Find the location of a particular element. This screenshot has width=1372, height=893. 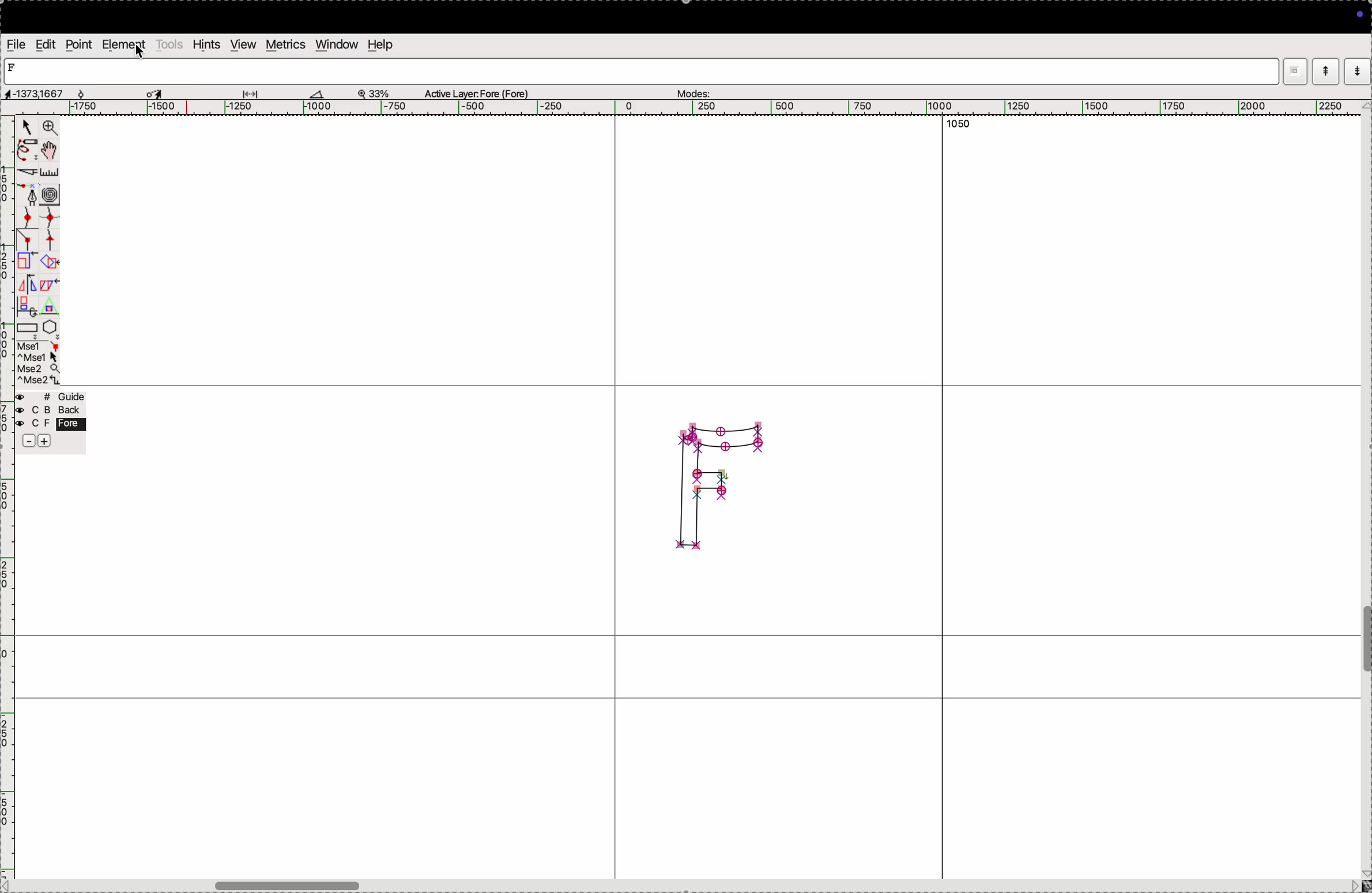

aspects is located at coordinates (42, 92).